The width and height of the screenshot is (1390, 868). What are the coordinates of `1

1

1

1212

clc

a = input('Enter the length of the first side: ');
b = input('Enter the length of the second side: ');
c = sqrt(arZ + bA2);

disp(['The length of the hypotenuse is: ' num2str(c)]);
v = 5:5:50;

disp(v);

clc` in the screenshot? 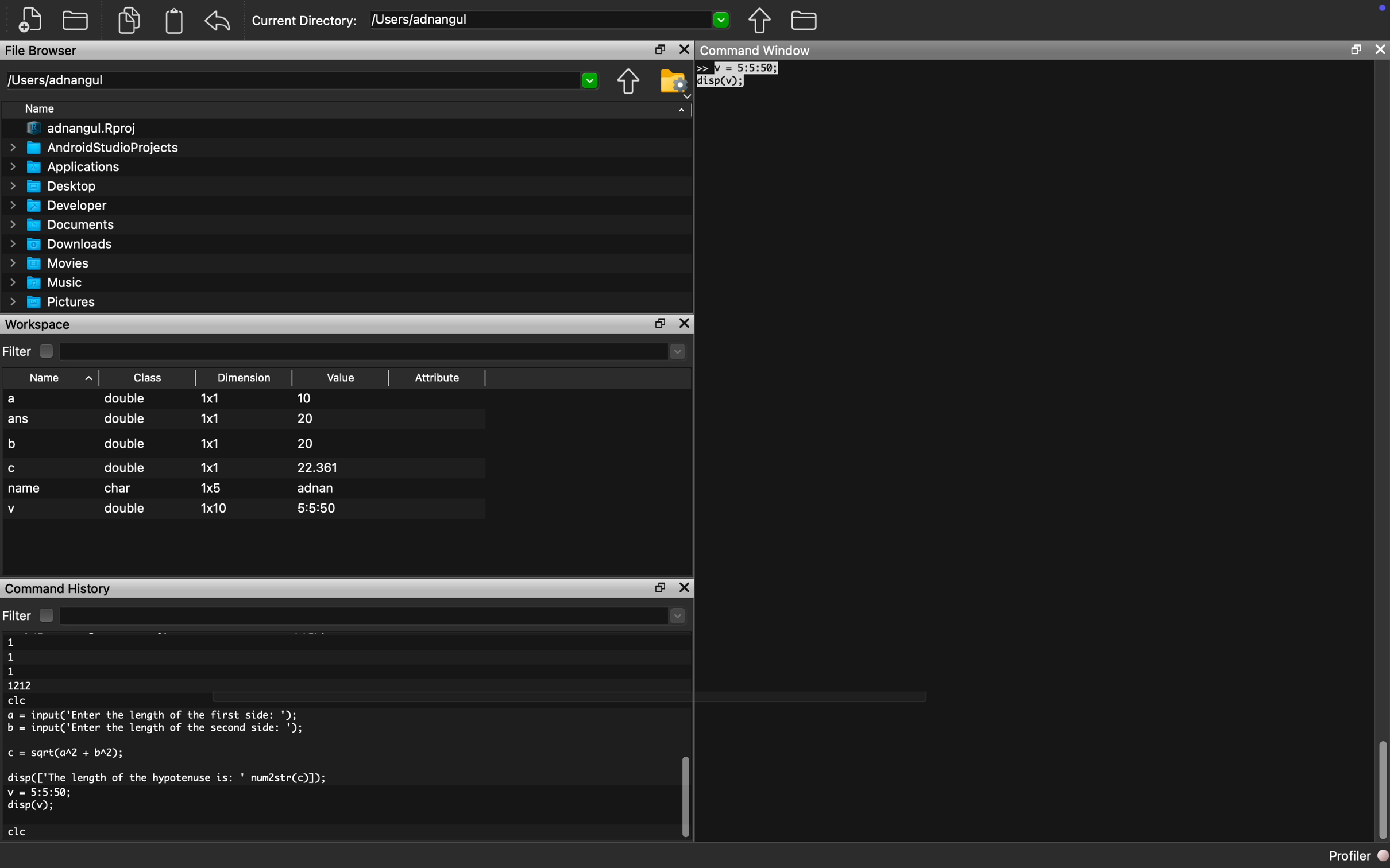 It's located at (168, 738).